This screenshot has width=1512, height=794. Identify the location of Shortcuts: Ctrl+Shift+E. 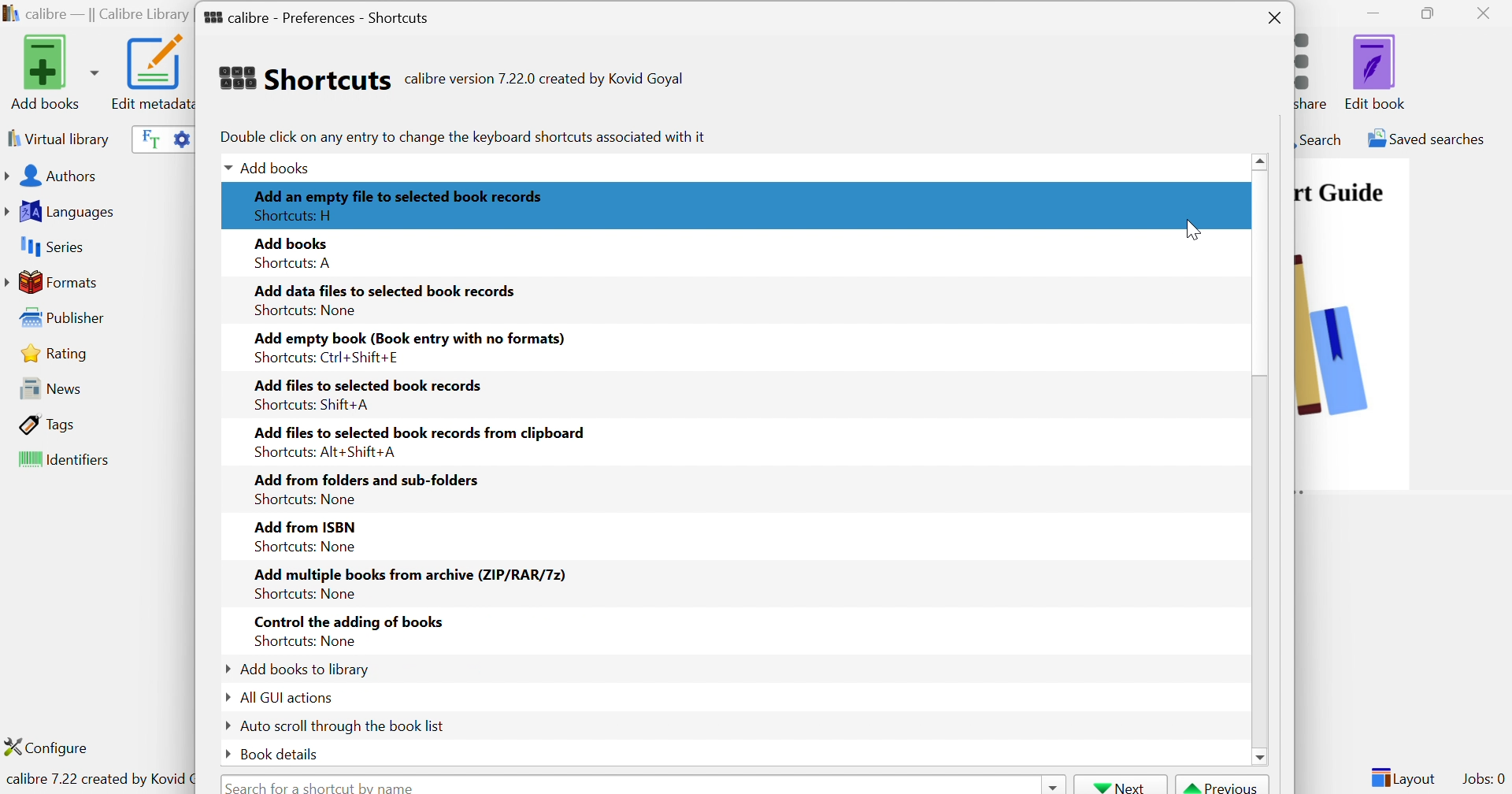
(326, 358).